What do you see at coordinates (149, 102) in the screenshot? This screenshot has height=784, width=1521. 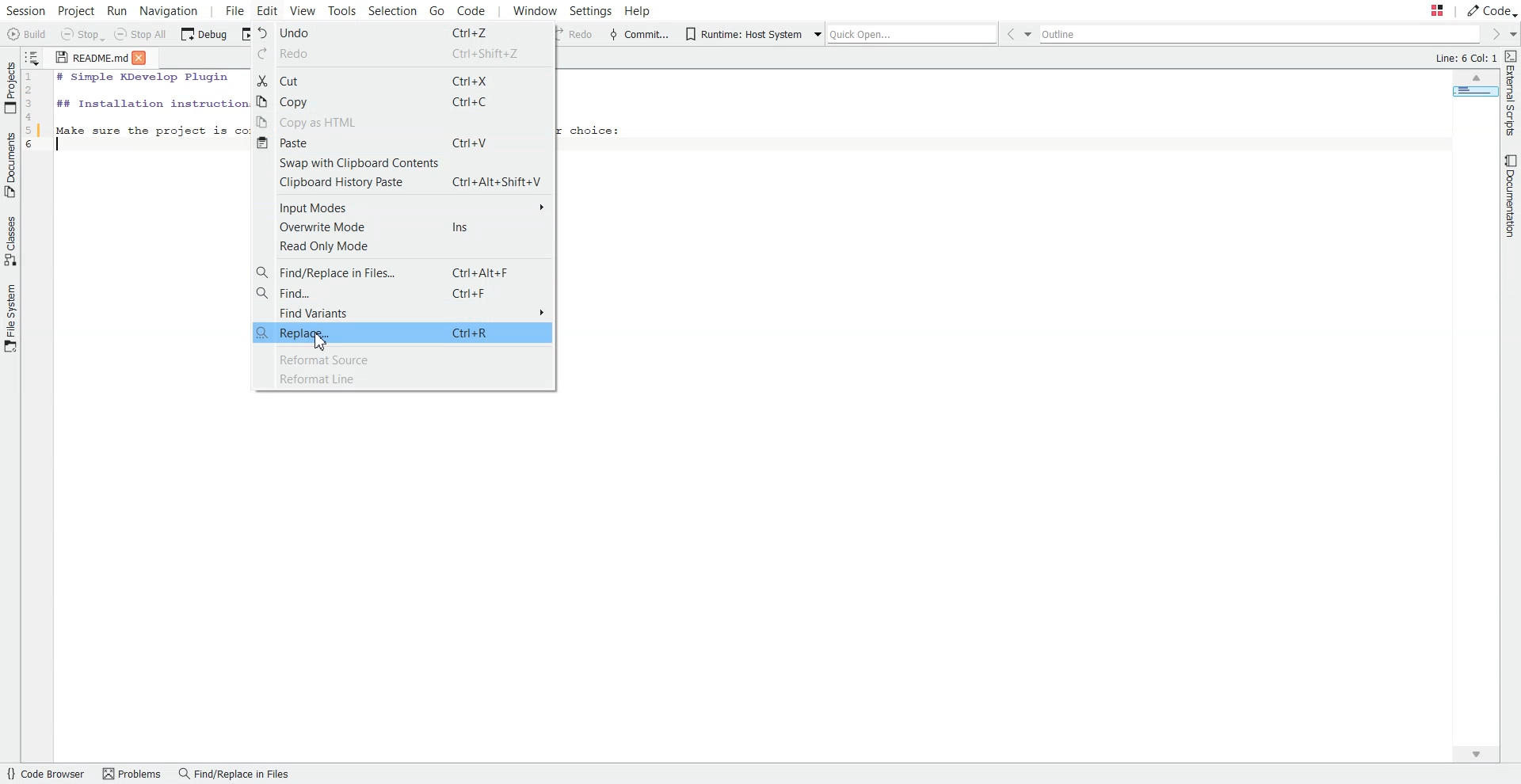 I see `## Installation instructions` at bounding box center [149, 102].